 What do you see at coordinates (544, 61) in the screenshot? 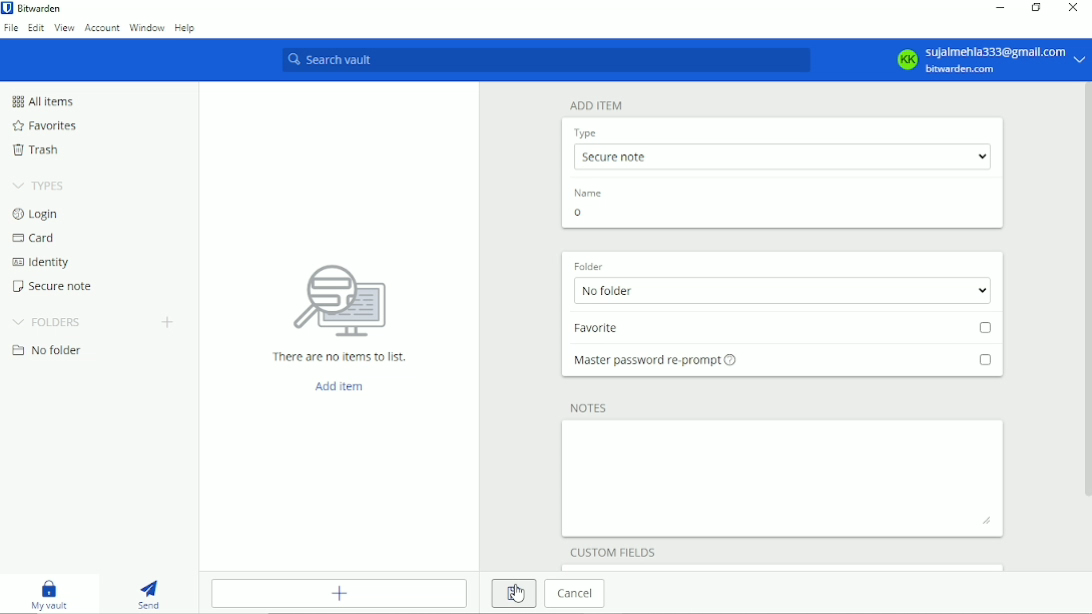
I see `Search vault` at bounding box center [544, 61].